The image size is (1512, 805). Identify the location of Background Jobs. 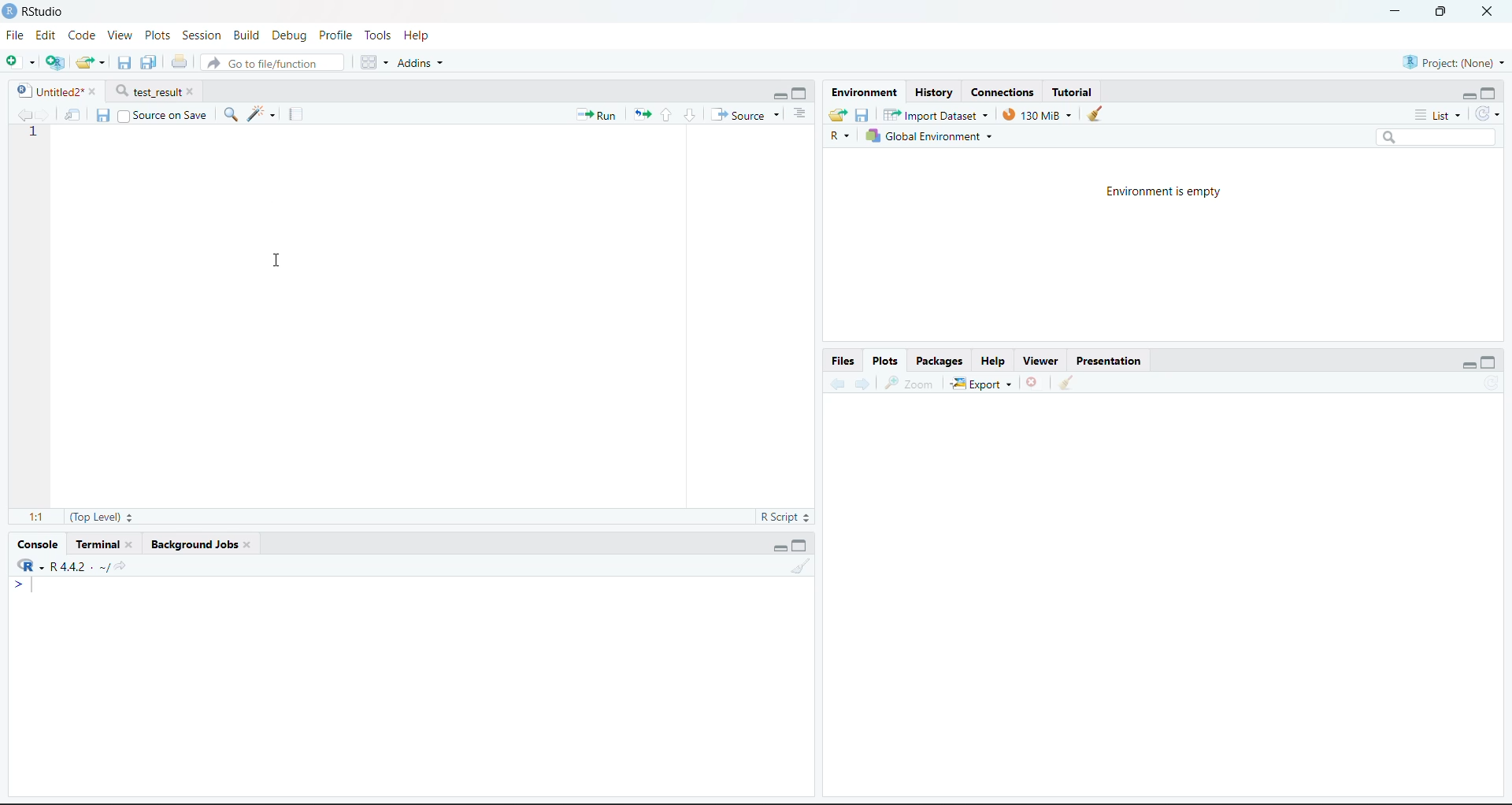
(203, 540).